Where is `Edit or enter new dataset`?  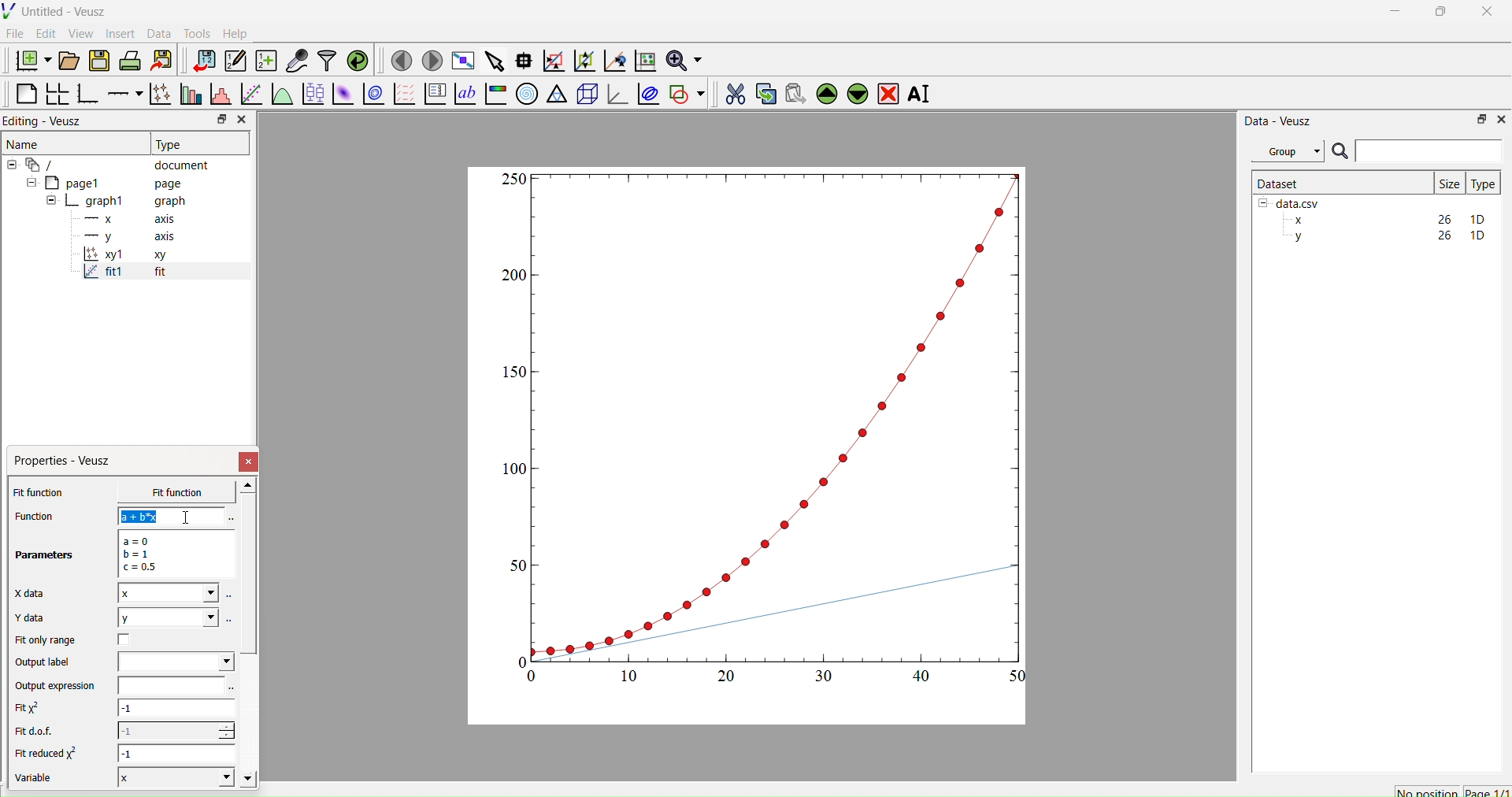 Edit or enter new dataset is located at coordinates (233, 61).